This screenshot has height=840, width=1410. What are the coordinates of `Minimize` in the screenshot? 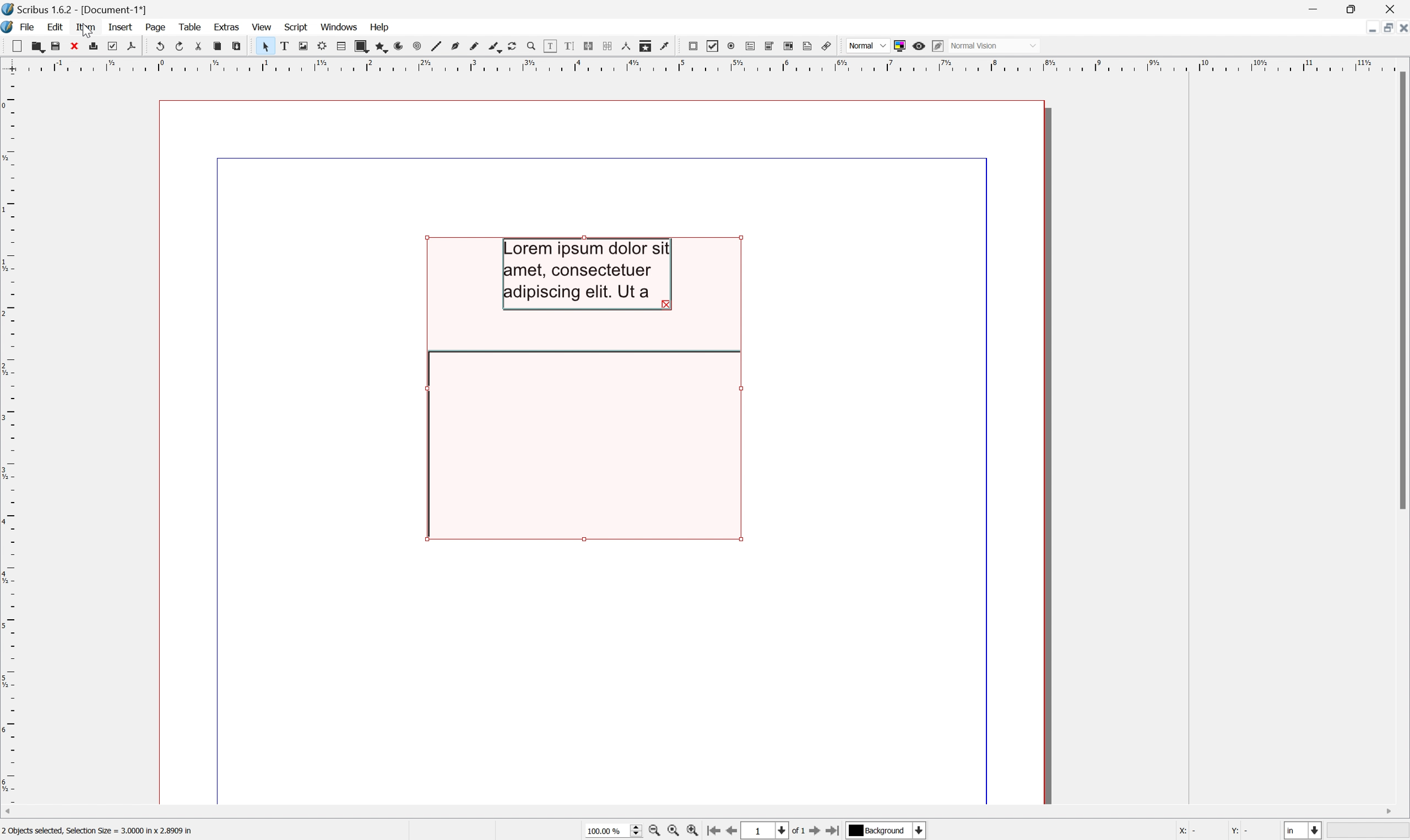 It's located at (1363, 27).